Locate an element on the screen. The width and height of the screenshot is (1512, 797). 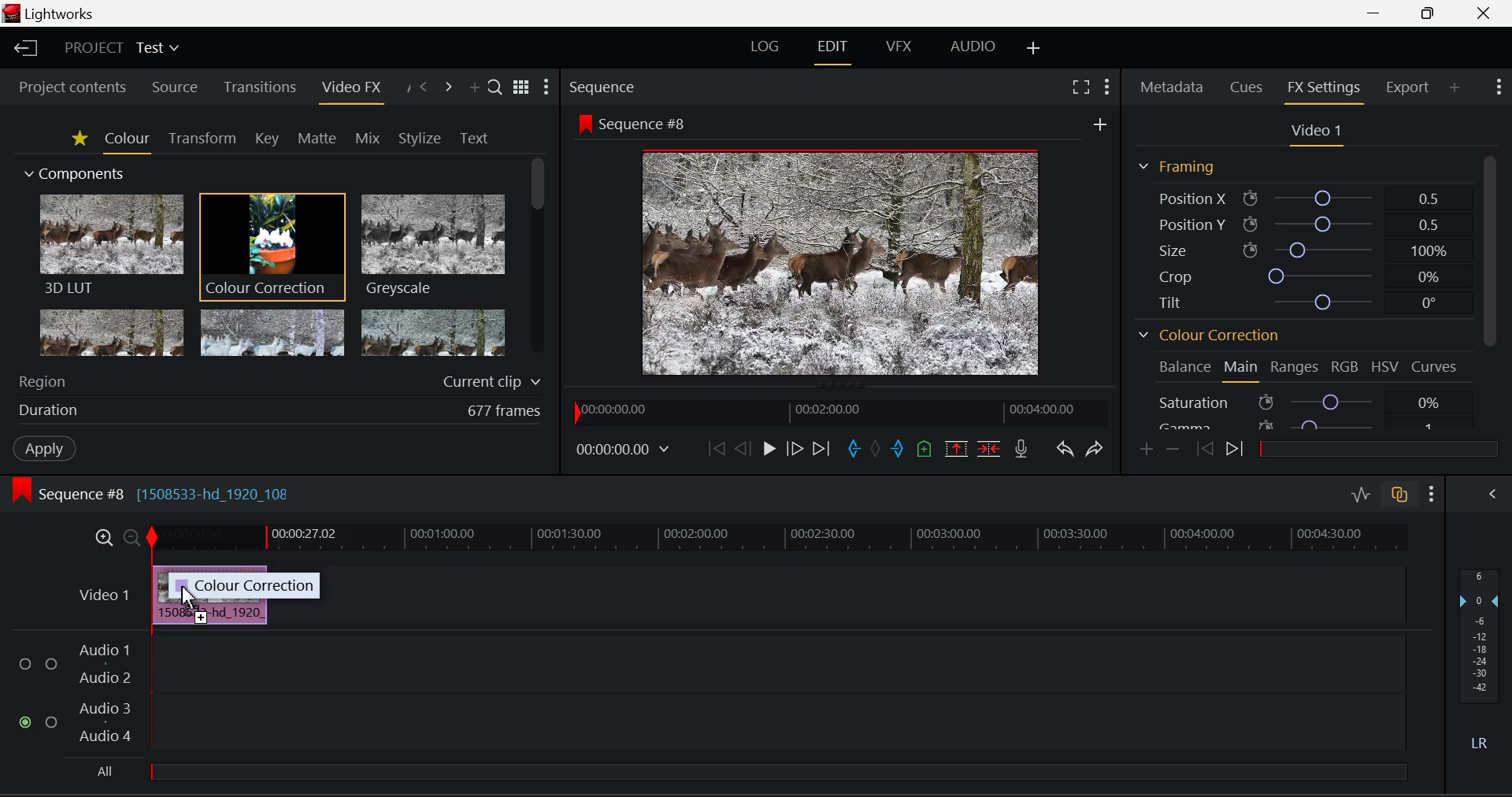
Next Panel is located at coordinates (448, 86).